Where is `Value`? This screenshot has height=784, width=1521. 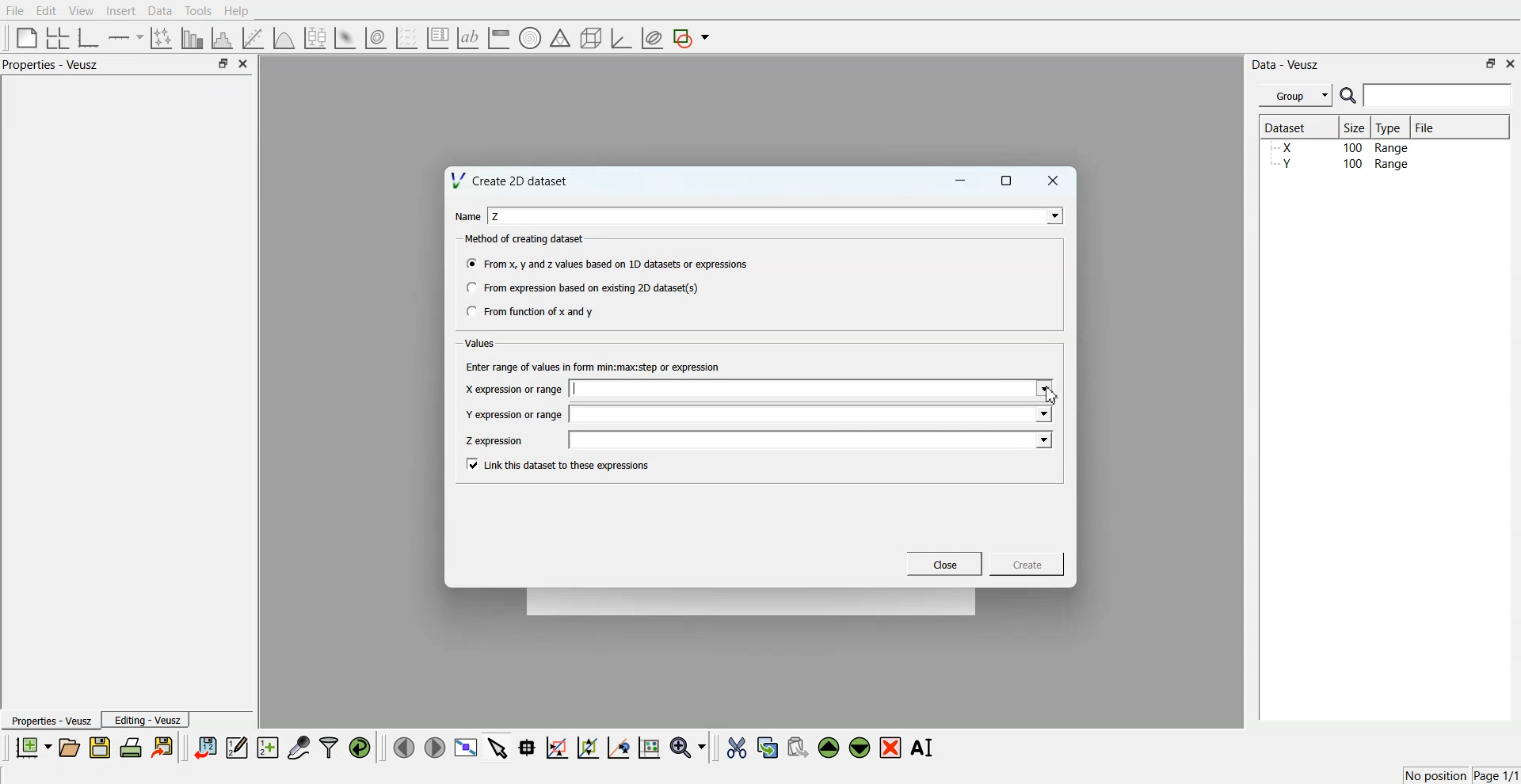
Value is located at coordinates (482, 343).